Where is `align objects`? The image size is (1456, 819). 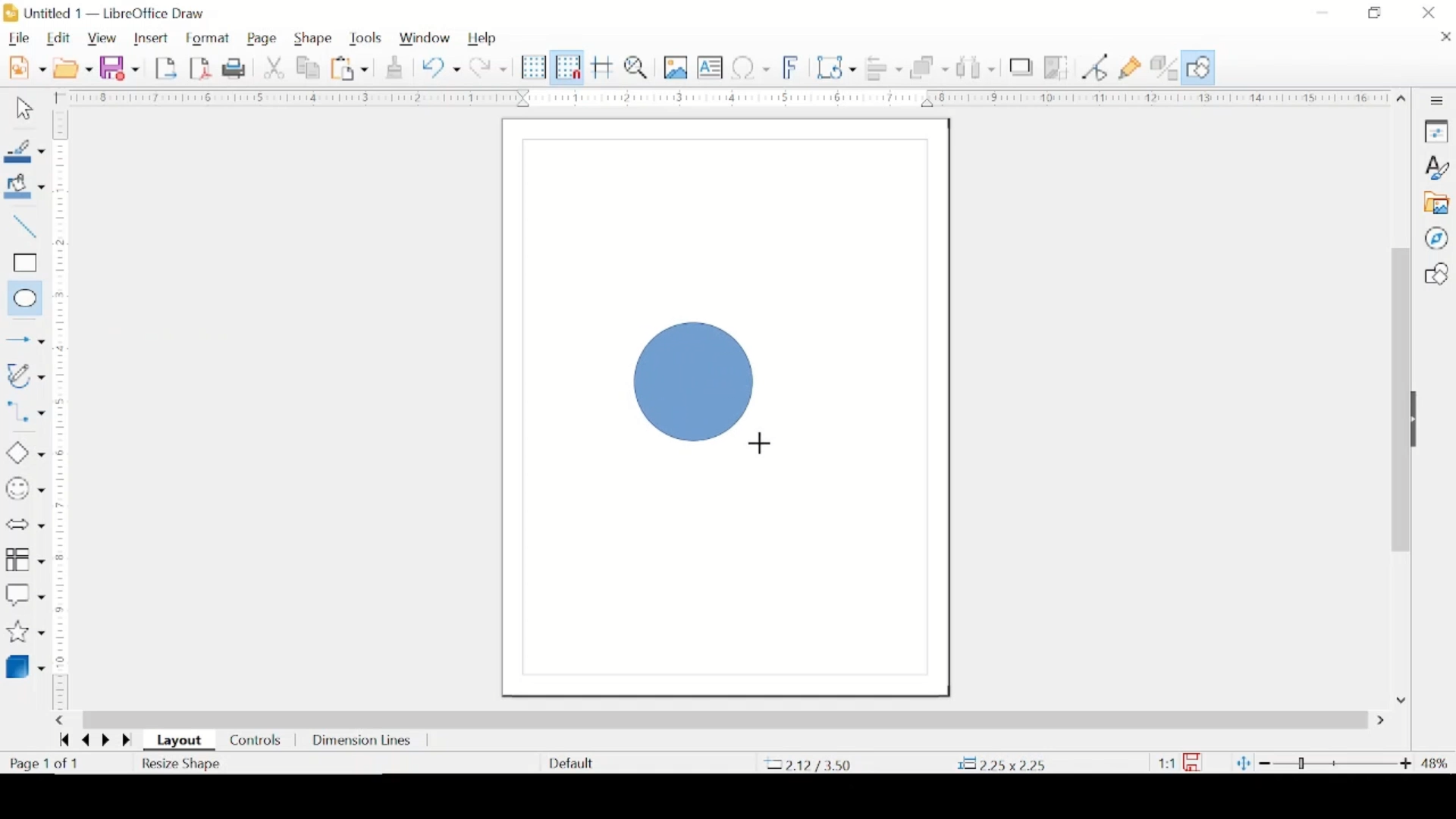
align objects is located at coordinates (885, 69).